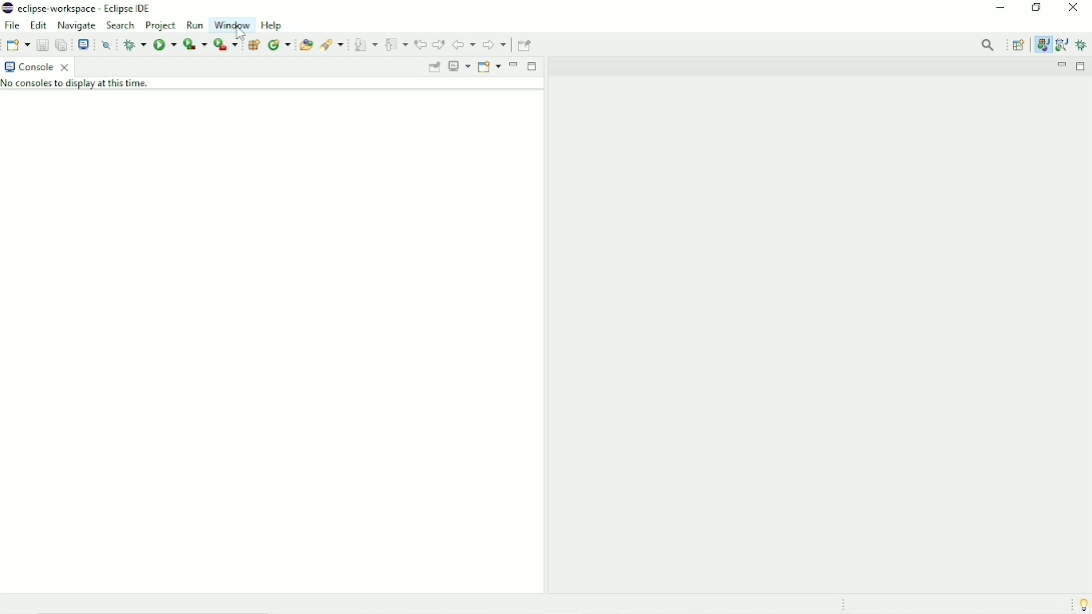 The image size is (1092, 614). I want to click on Search, so click(121, 26).